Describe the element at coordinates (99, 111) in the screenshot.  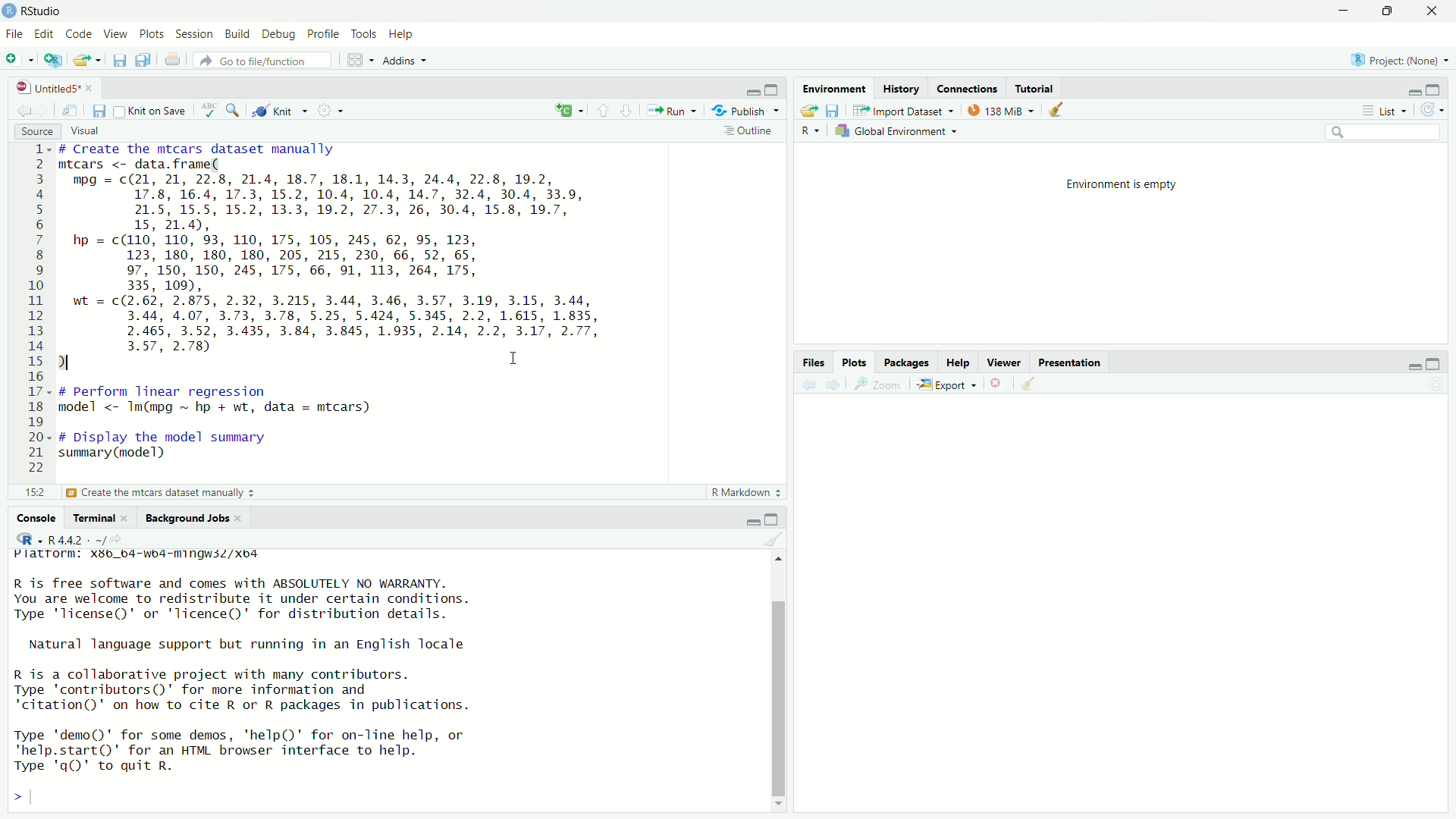
I see `save` at that location.